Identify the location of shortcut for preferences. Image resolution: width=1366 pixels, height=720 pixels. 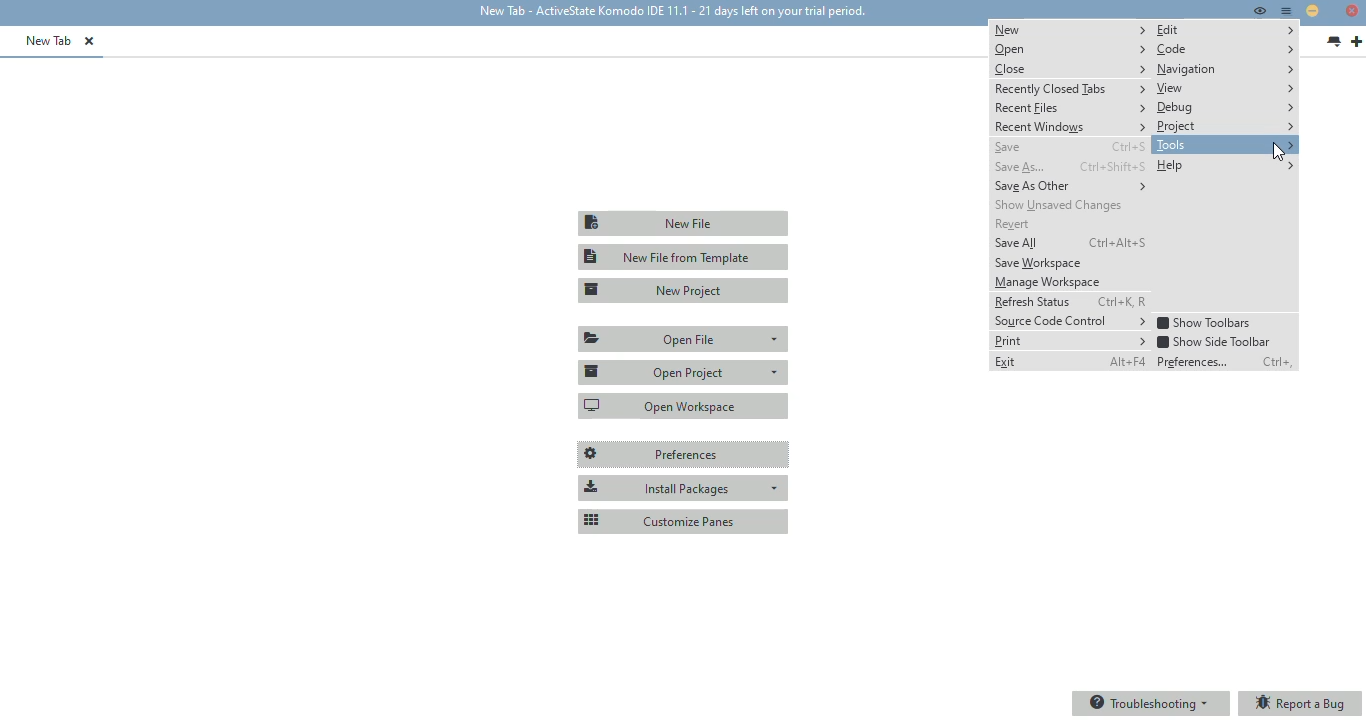
(1278, 362).